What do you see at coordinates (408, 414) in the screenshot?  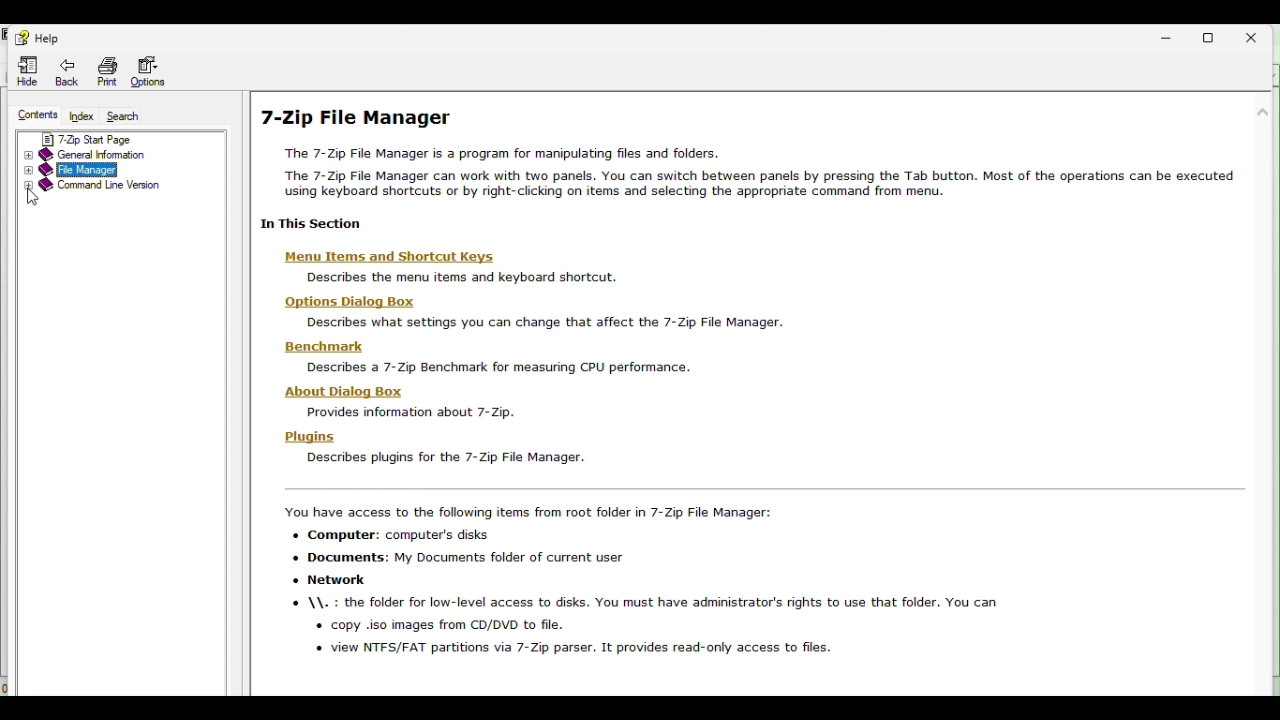 I see `Provides information about 7- Zip.` at bounding box center [408, 414].